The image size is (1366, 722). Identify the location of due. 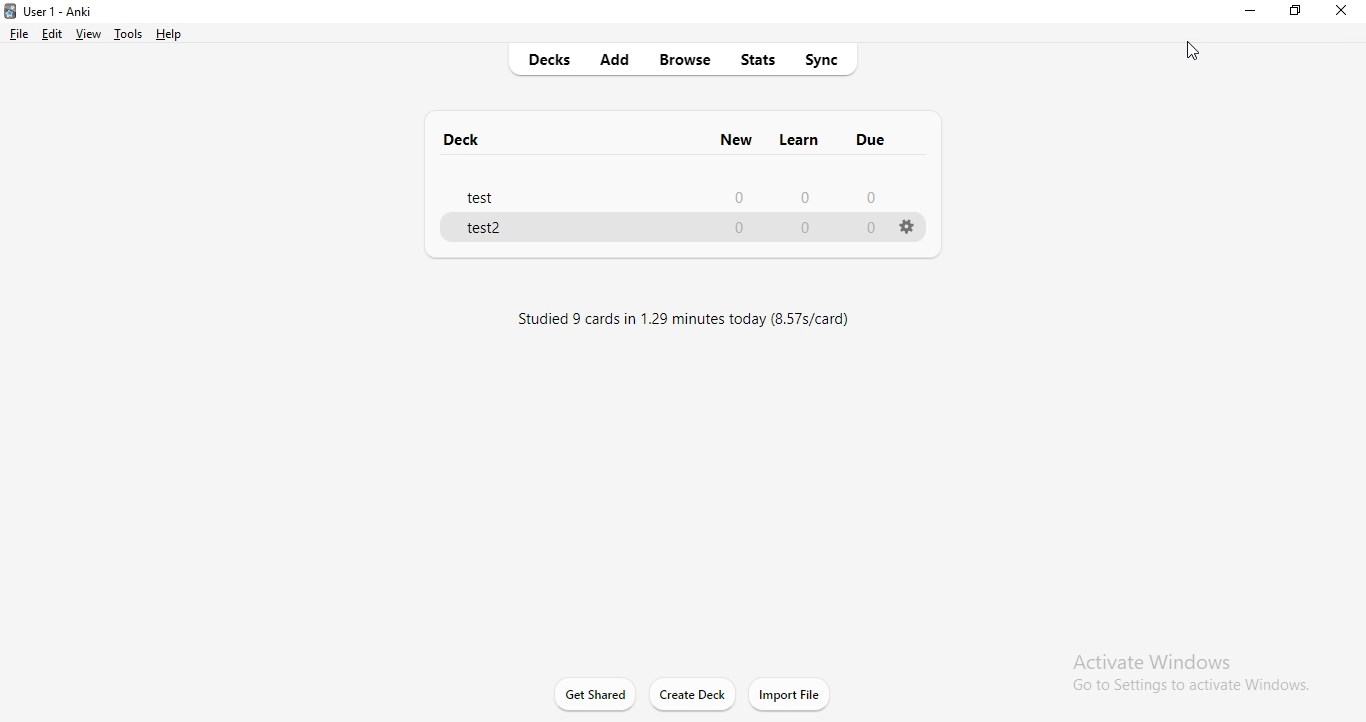
(871, 141).